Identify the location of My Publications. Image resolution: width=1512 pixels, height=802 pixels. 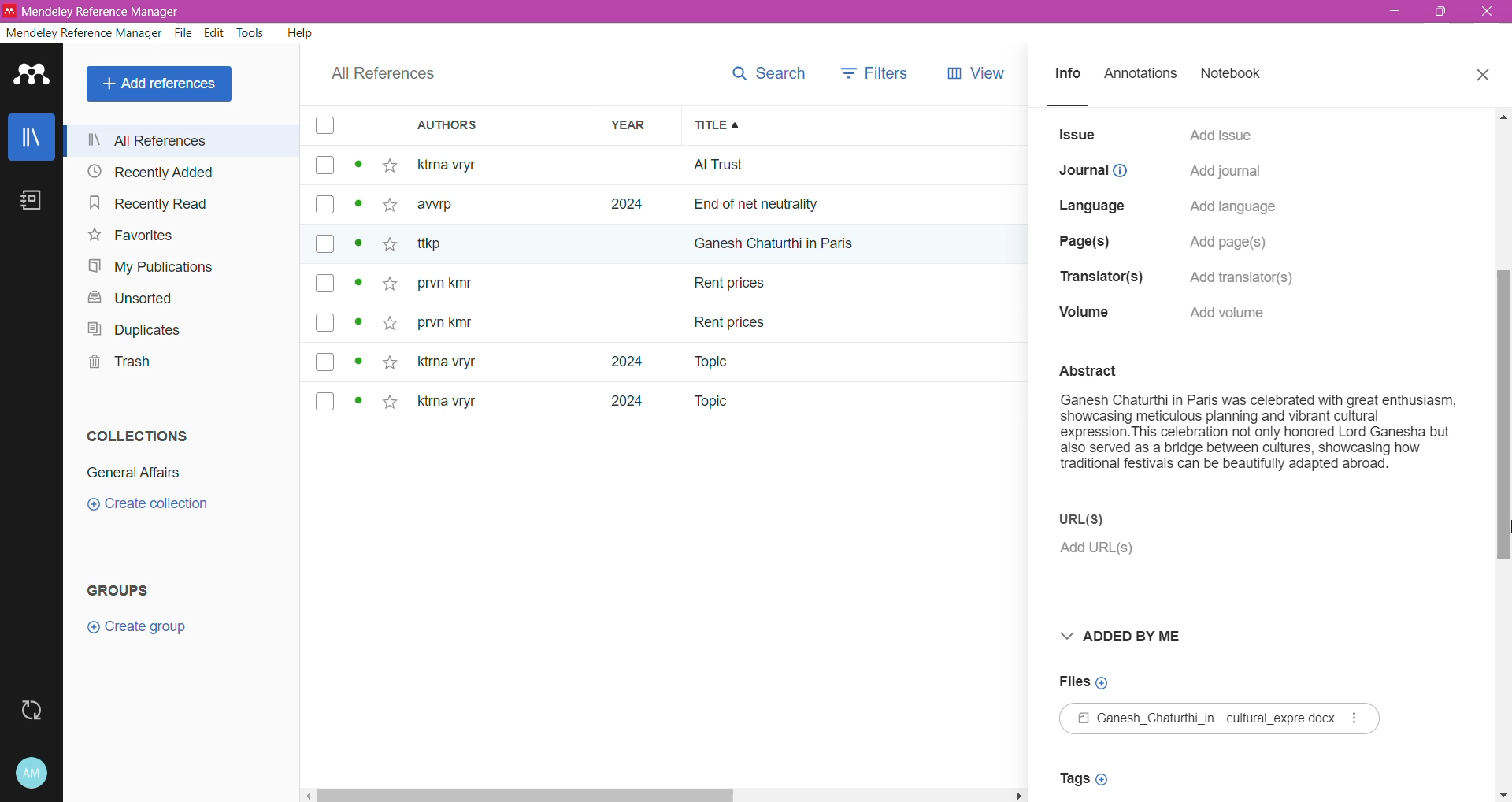
(157, 268).